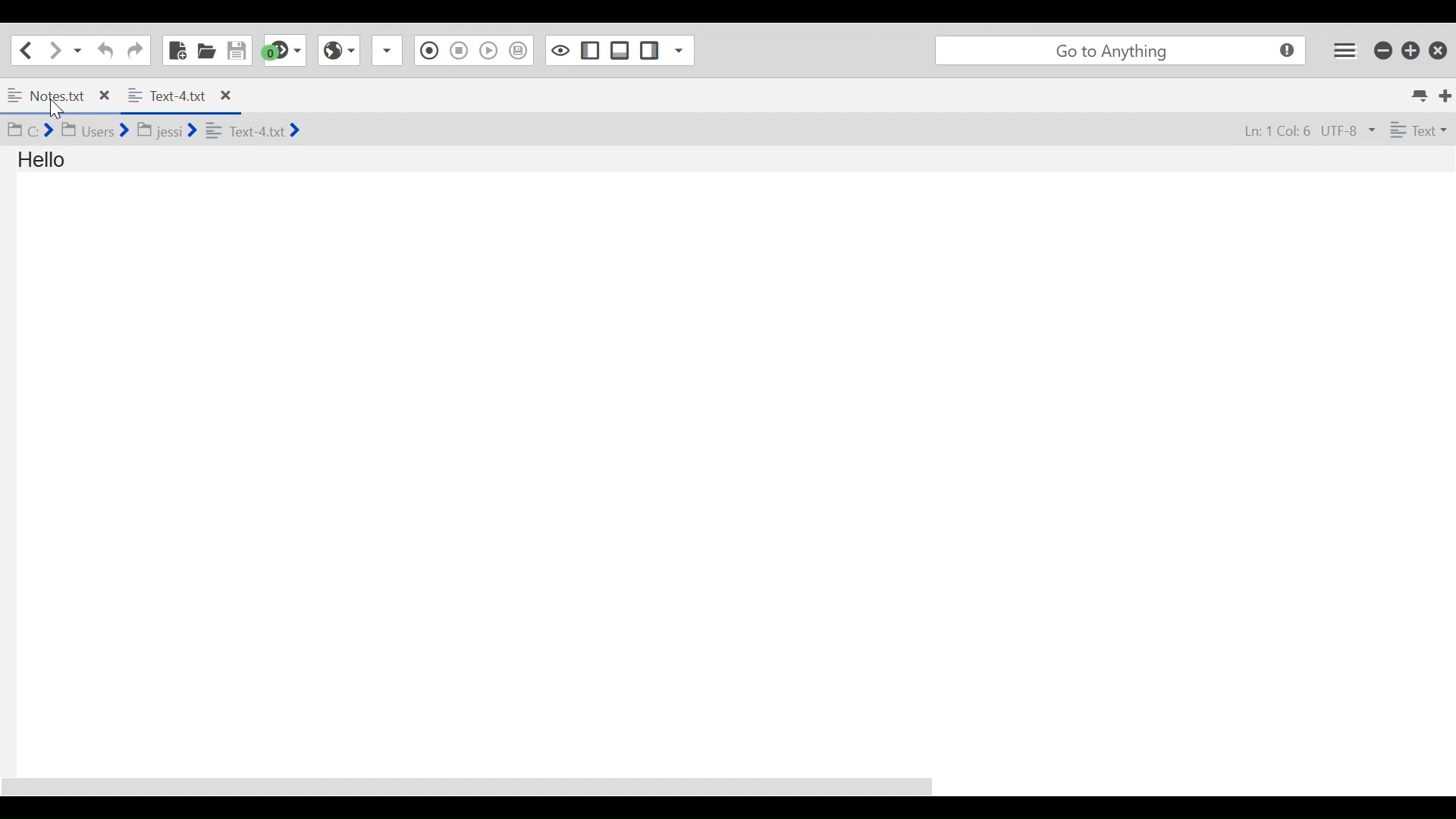 The height and width of the screenshot is (819, 1456). I want to click on utf-8, so click(1348, 131).